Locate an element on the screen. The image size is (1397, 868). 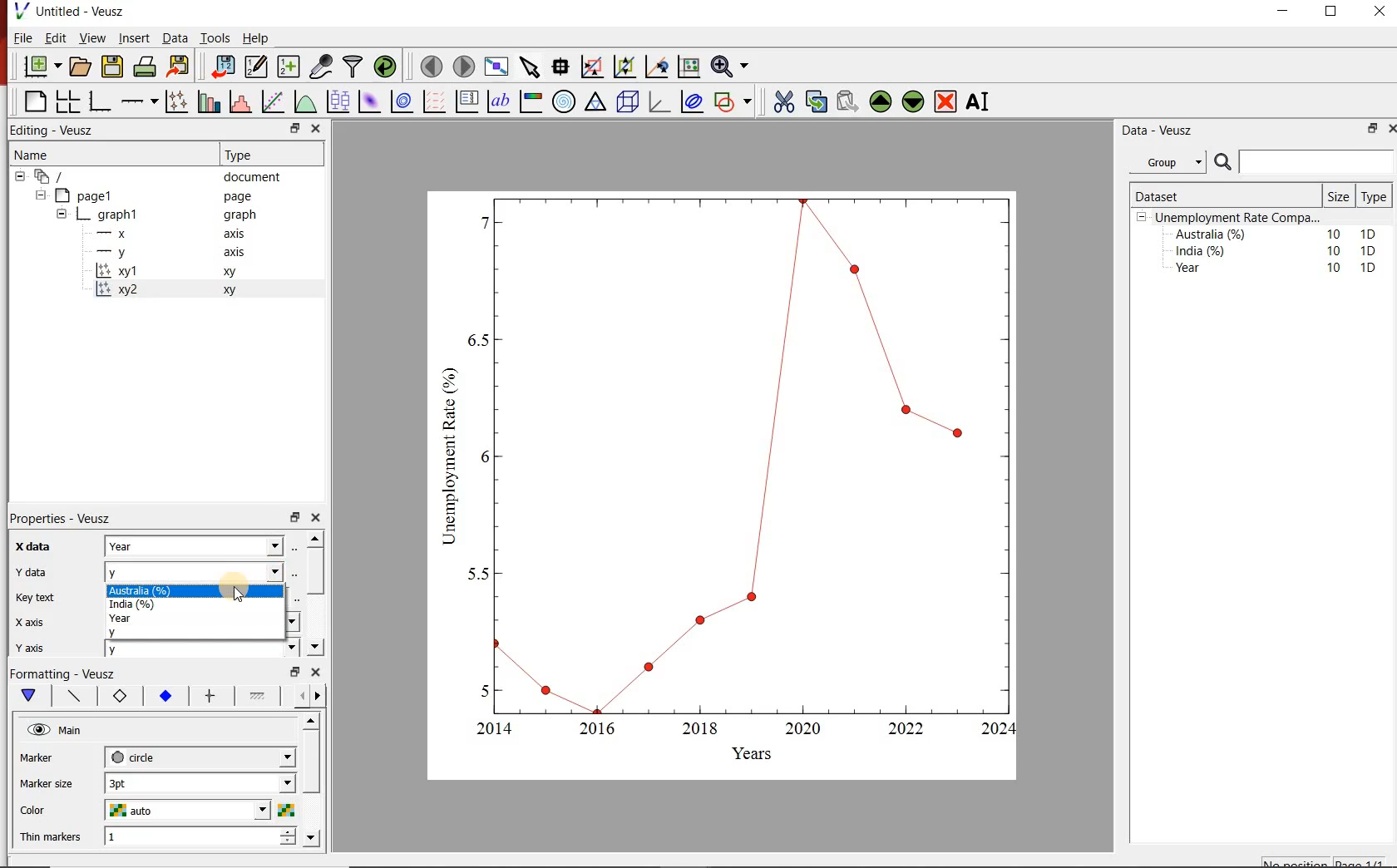
create new datasets is located at coordinates (288, 67).